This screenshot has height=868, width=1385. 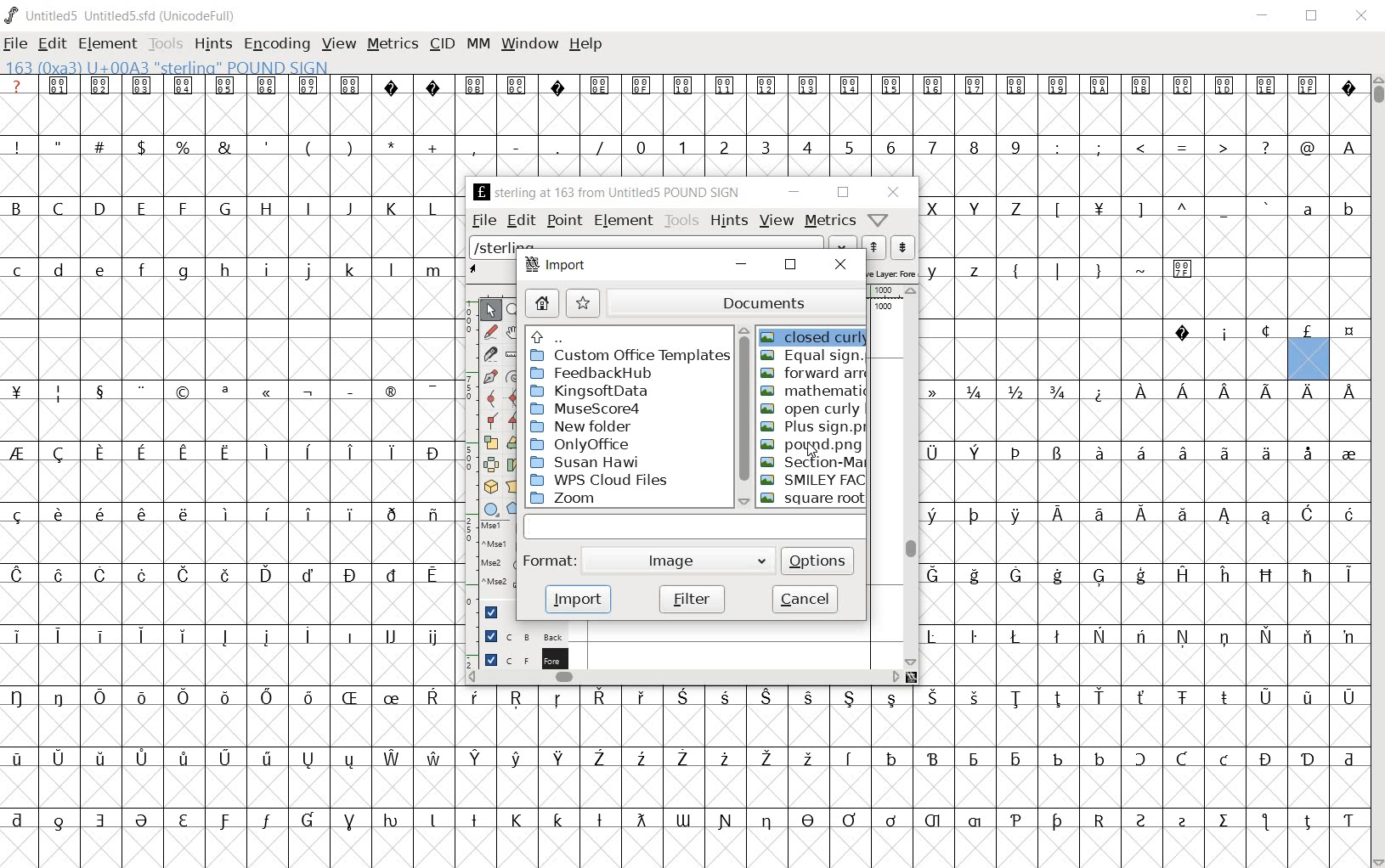 What do you see at coordinates (640, 697) in the screenshot?
I see `Symbol` at bounding box center [640, 697].